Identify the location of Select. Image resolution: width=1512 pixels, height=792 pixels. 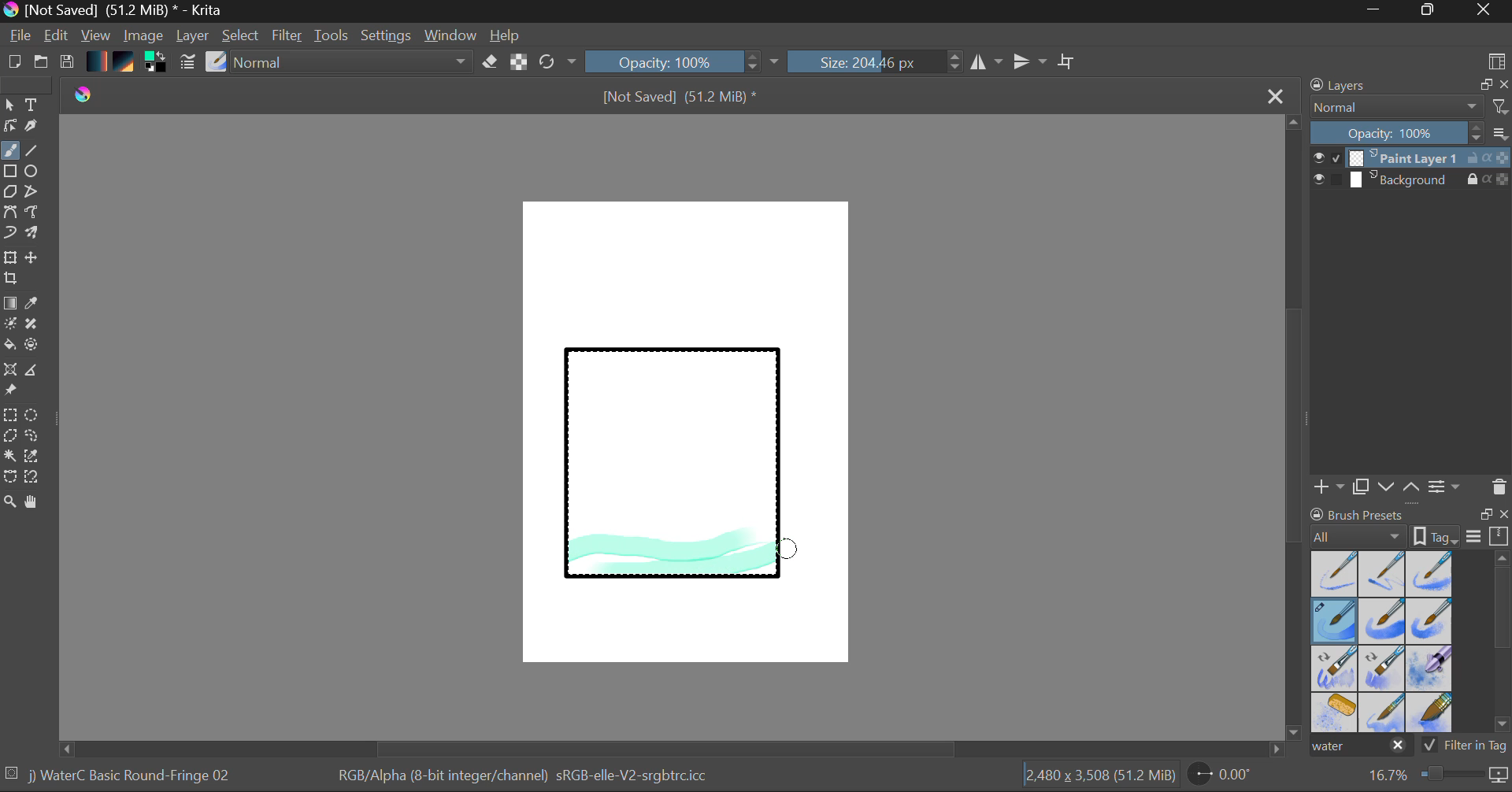
(242, 36).